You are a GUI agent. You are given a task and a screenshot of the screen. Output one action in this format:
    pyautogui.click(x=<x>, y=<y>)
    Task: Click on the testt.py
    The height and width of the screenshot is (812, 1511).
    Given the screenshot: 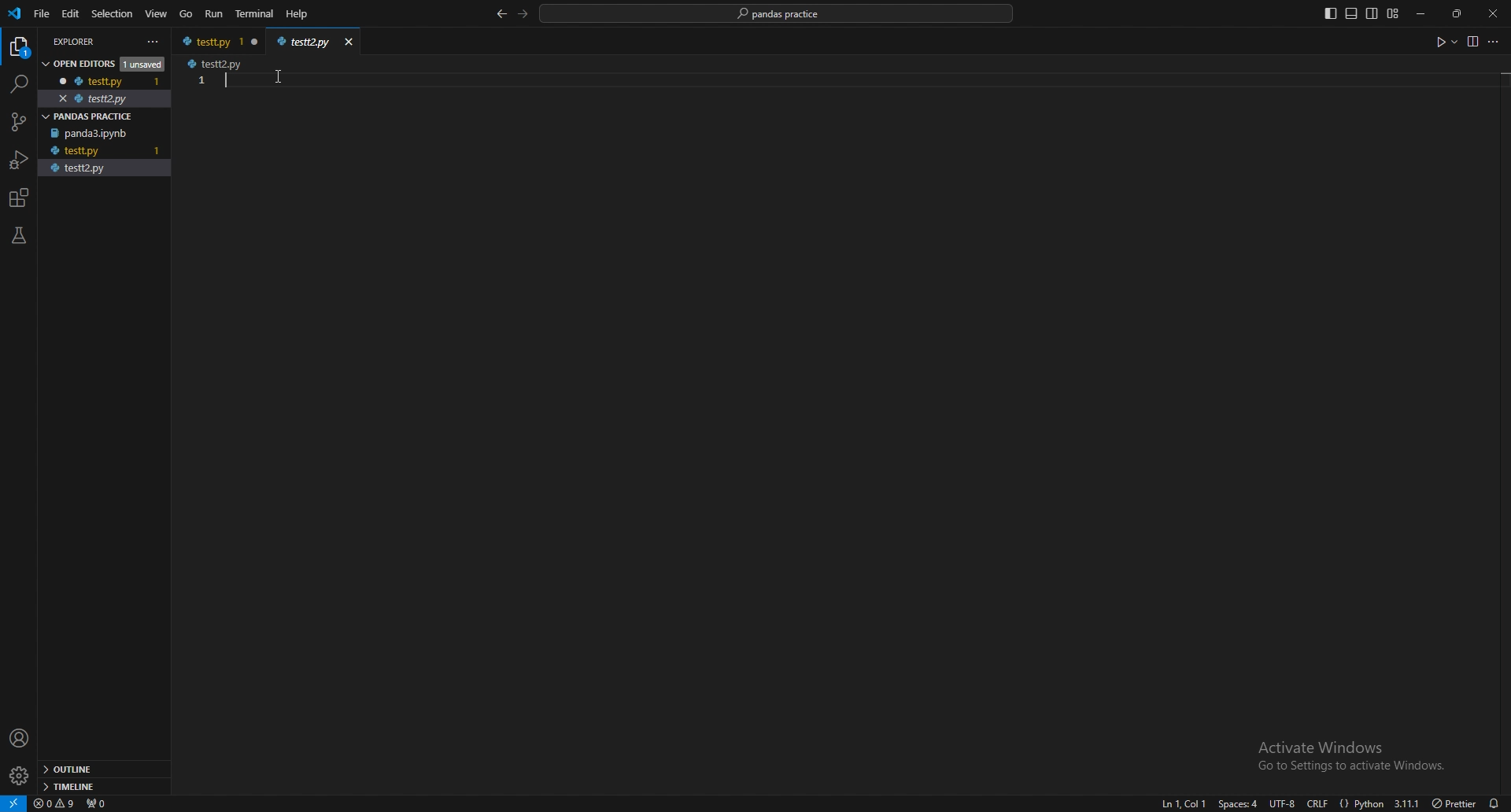 What is the action you would take?
    pyautogui.click(x=81, y=151)
    